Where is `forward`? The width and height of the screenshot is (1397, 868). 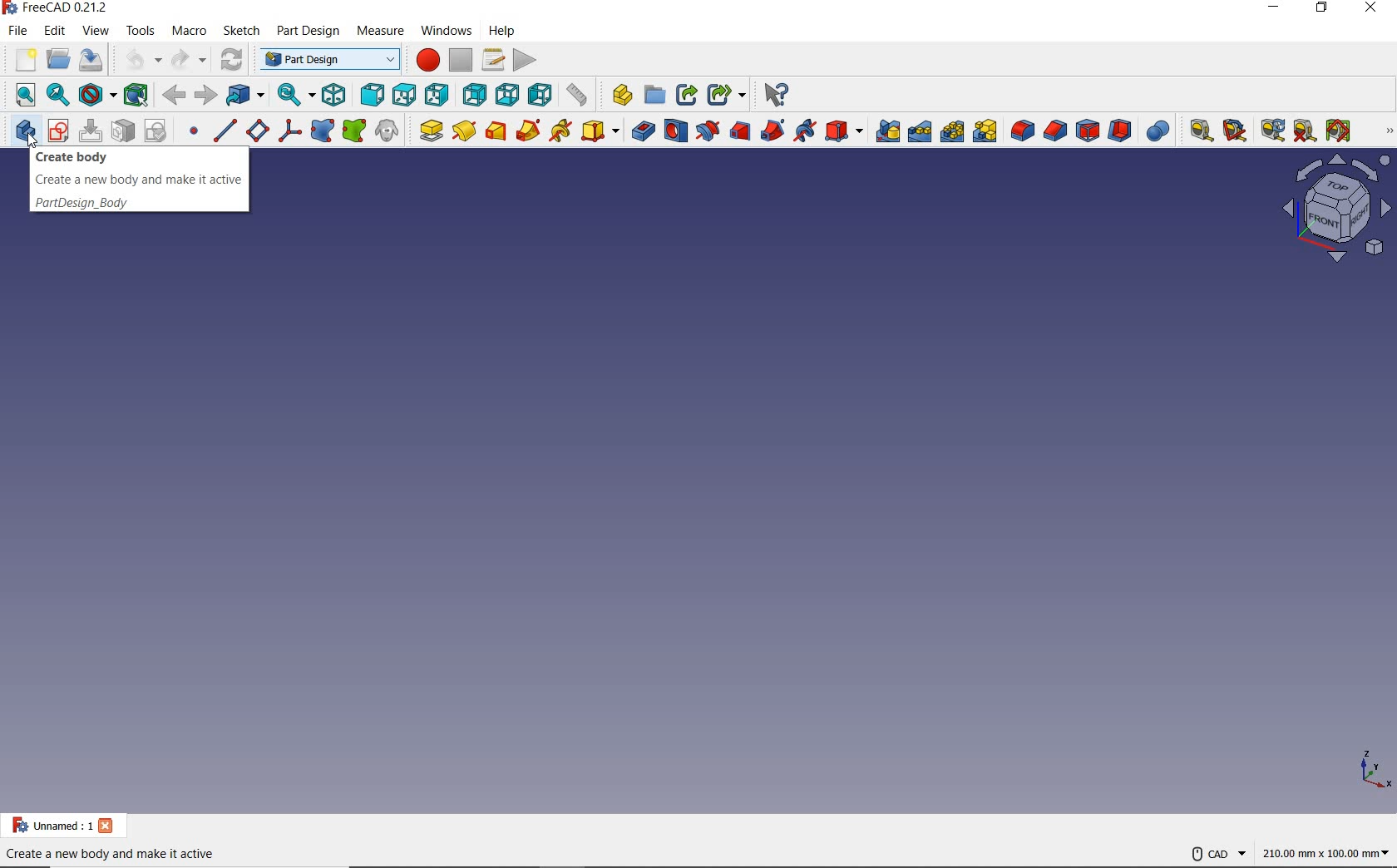
forward is located at coordinates (204, 96).